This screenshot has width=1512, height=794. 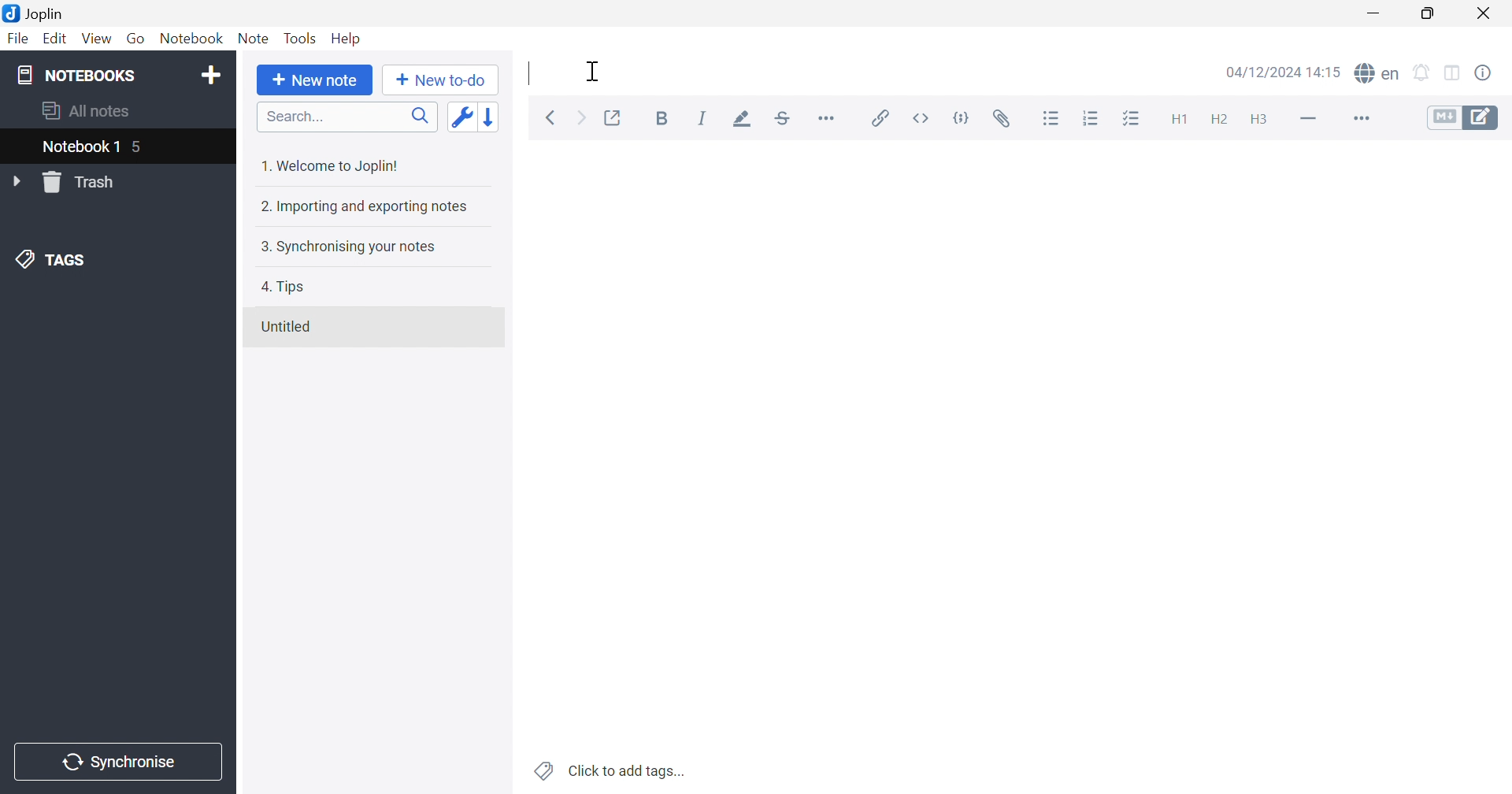 What do you see at coordinates (1177, 121) in the screenshot?
I see `Heading 1` at bounding box center [1177, 121].